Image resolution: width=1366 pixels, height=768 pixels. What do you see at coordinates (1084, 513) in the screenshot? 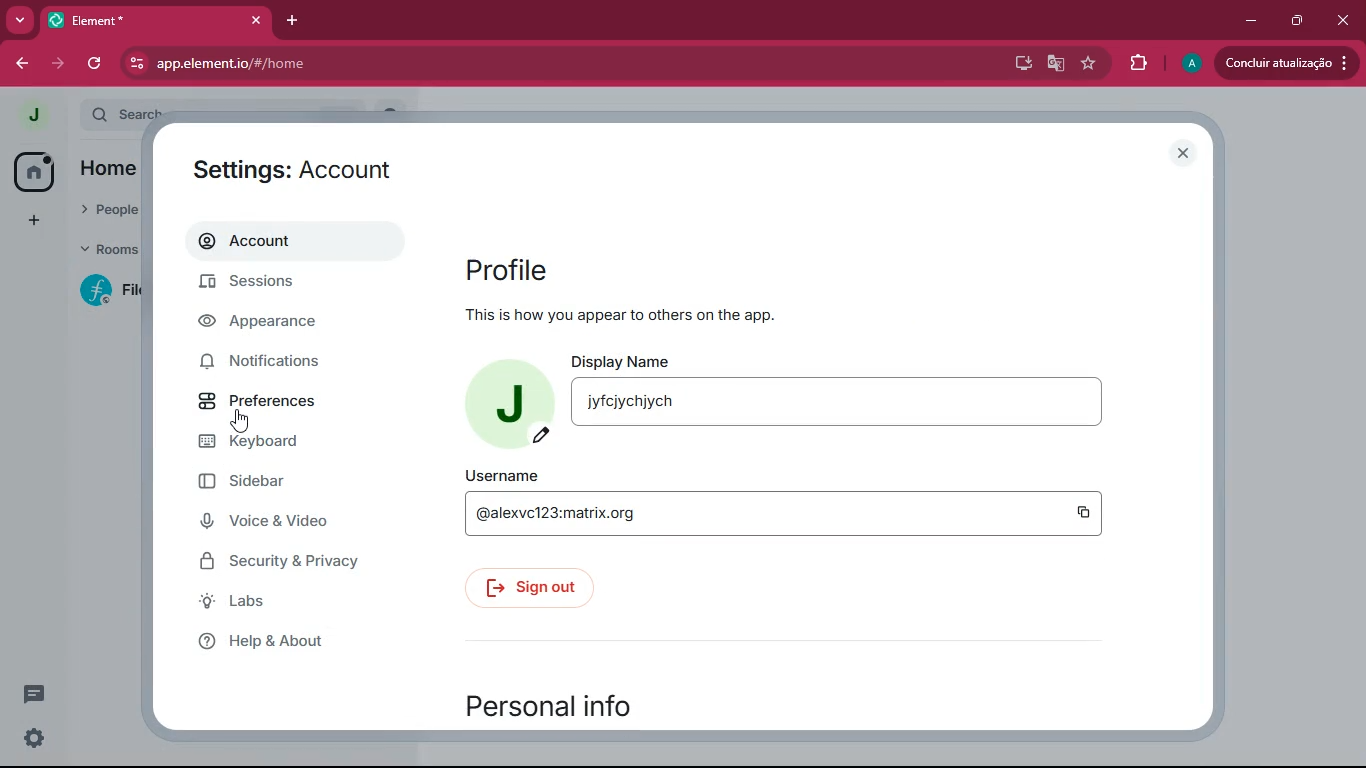
I see `copy` at bounding box center [1084, 513].